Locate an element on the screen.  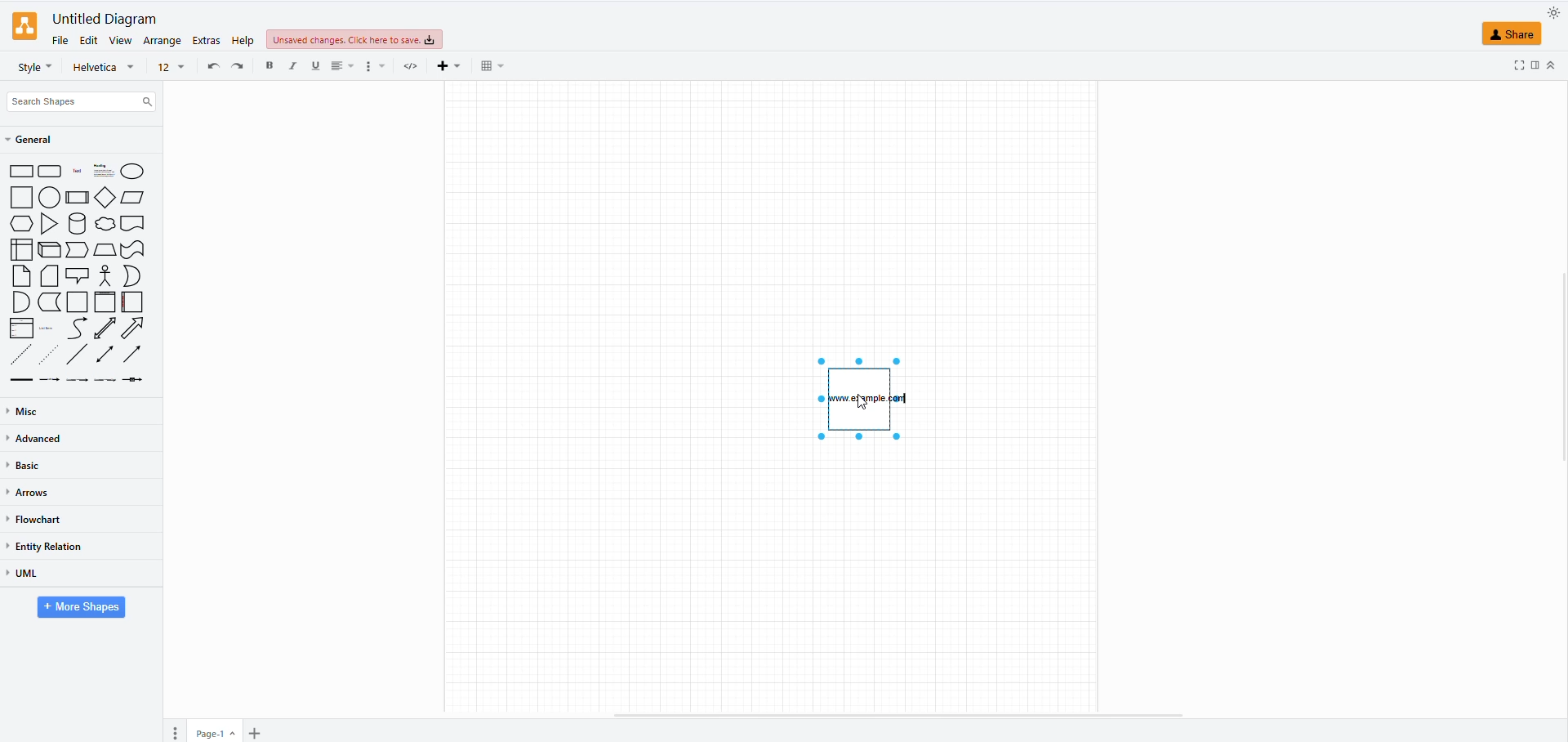
arrange is located at coordinates (161, 40).